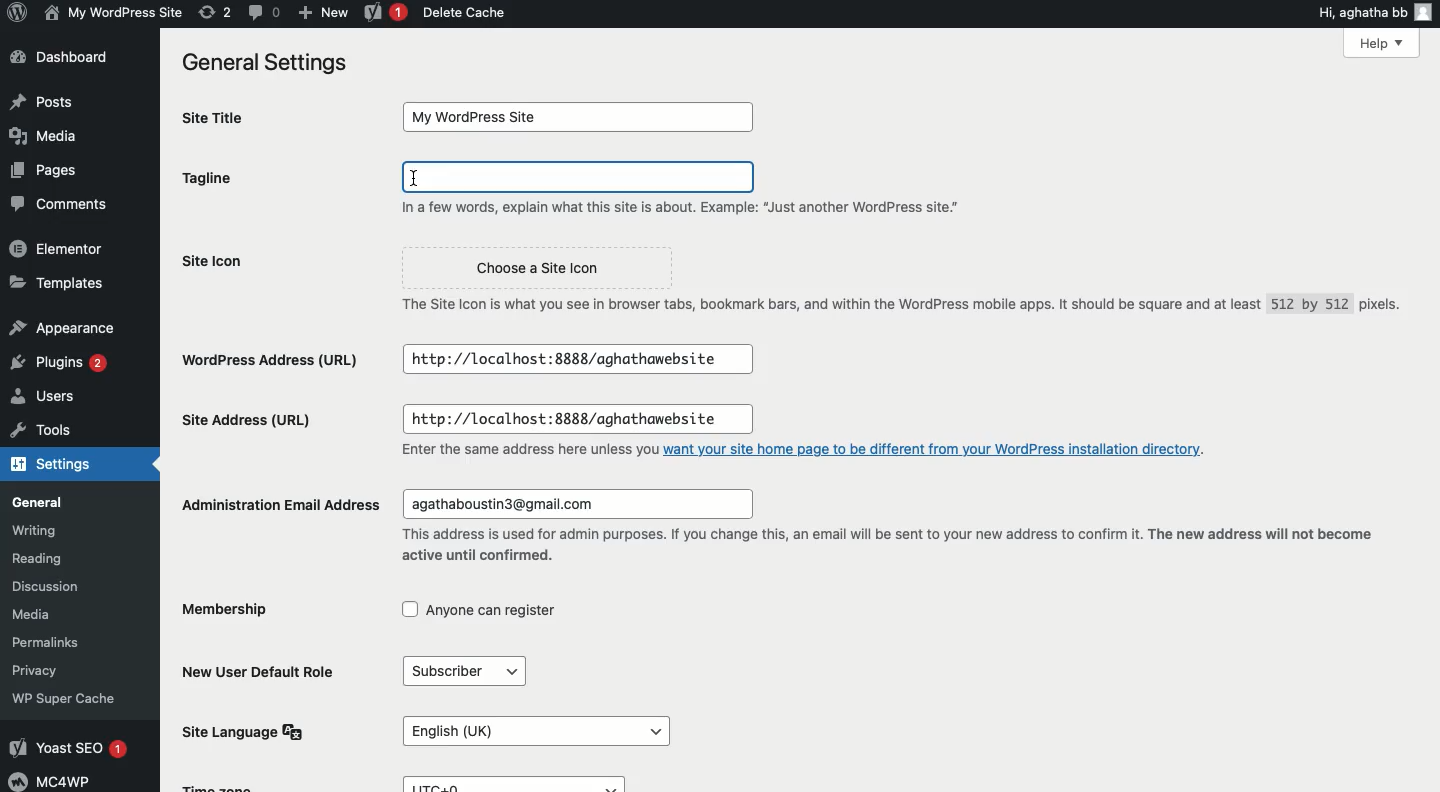  I want to click on  My Wordpress Site , so click(579, 117).